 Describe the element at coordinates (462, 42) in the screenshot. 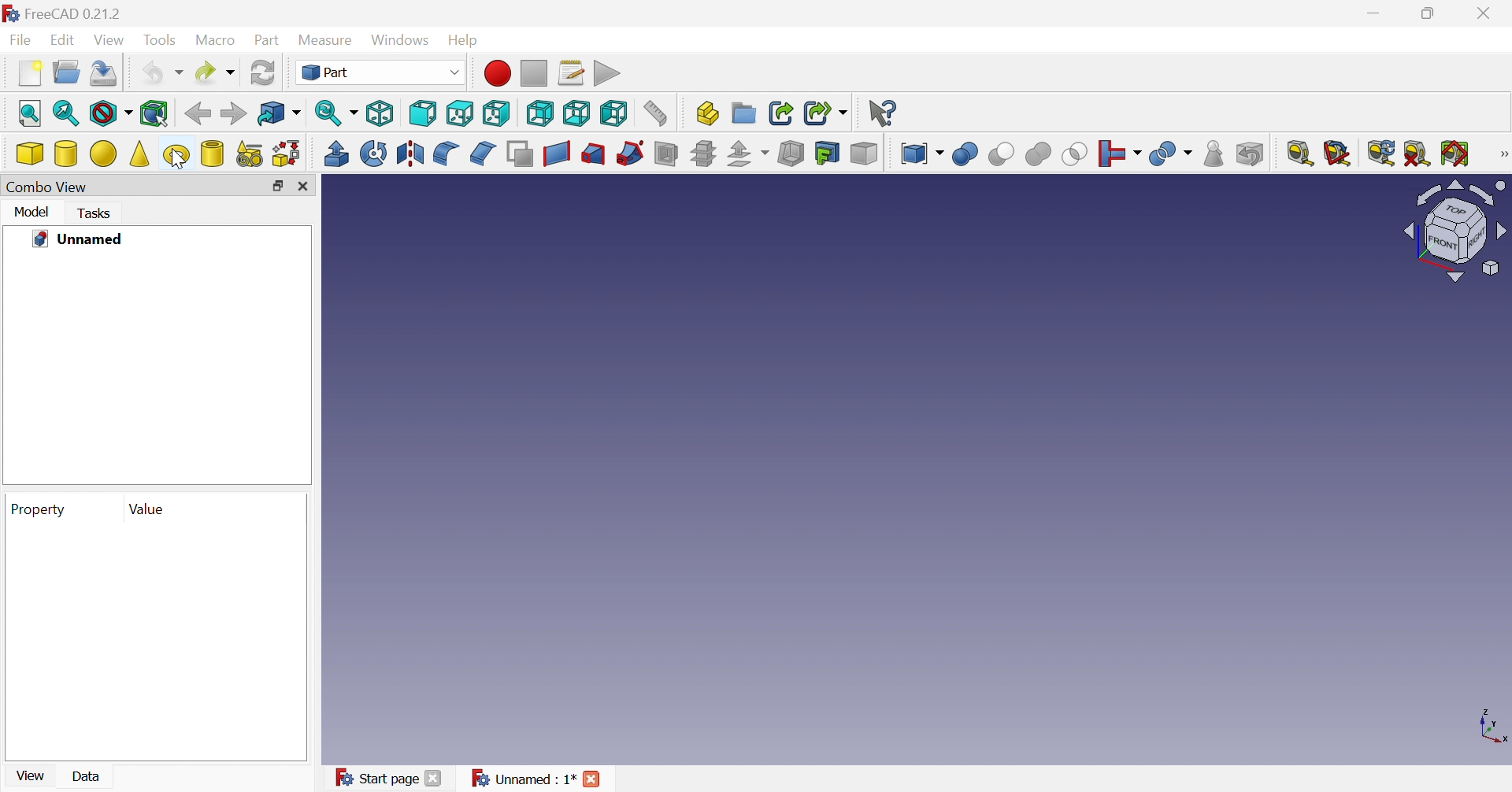

I see `Help` at that location.